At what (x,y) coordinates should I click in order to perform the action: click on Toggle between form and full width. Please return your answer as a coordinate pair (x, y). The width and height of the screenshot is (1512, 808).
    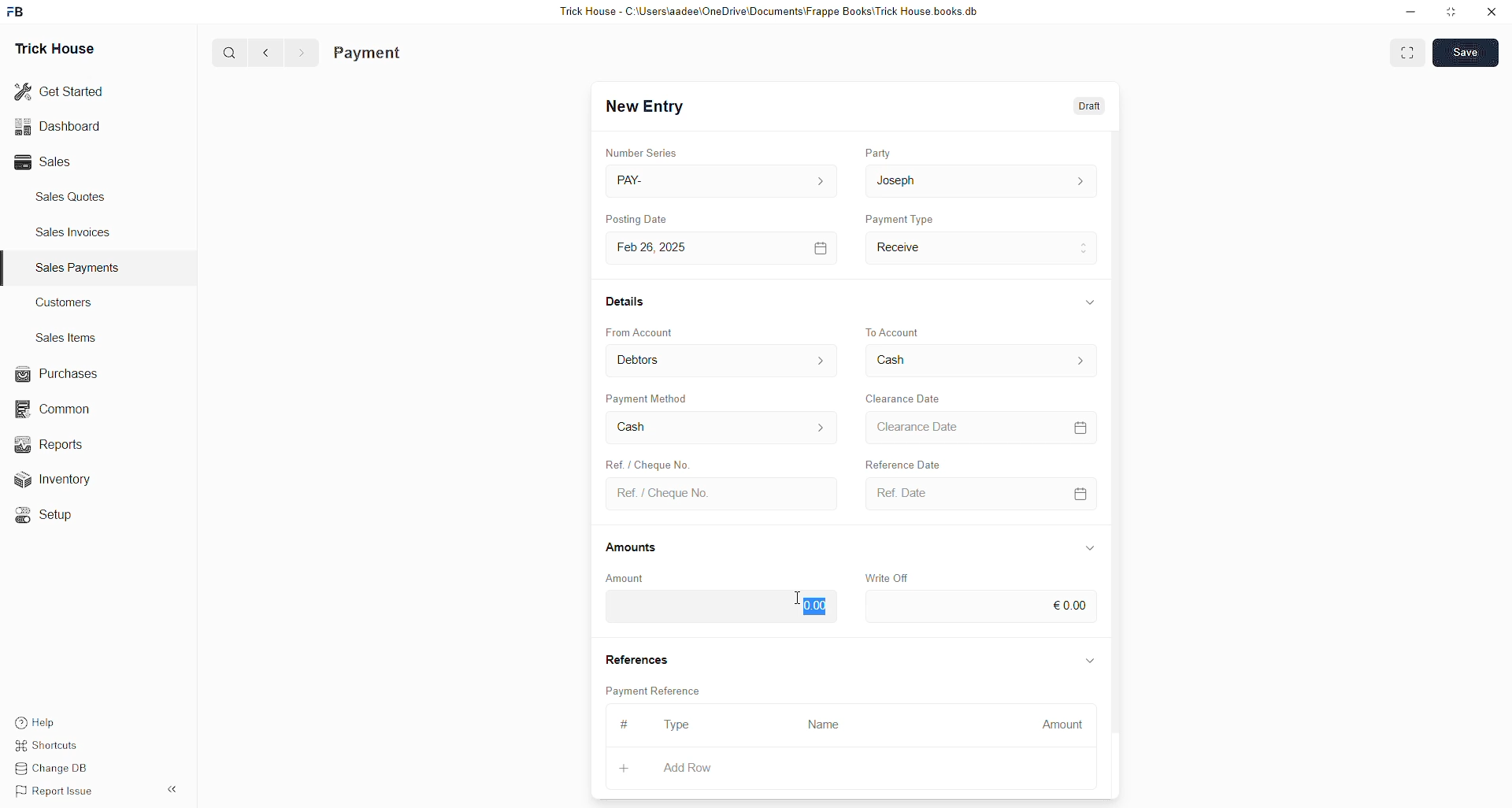
    Looking at the image, I should click on (1407, 55).